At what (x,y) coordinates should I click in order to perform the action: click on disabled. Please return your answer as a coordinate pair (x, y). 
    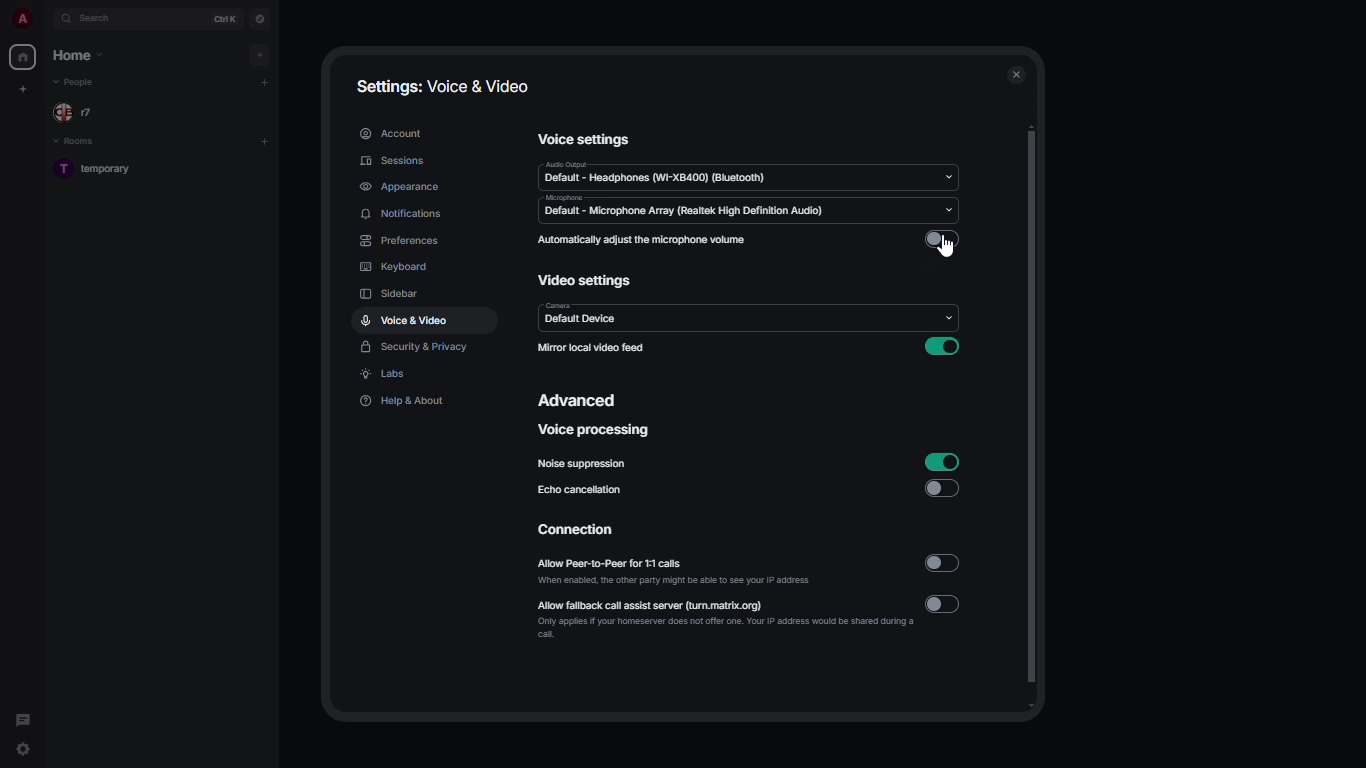
    Looking at the image, I should click on (943, 239).